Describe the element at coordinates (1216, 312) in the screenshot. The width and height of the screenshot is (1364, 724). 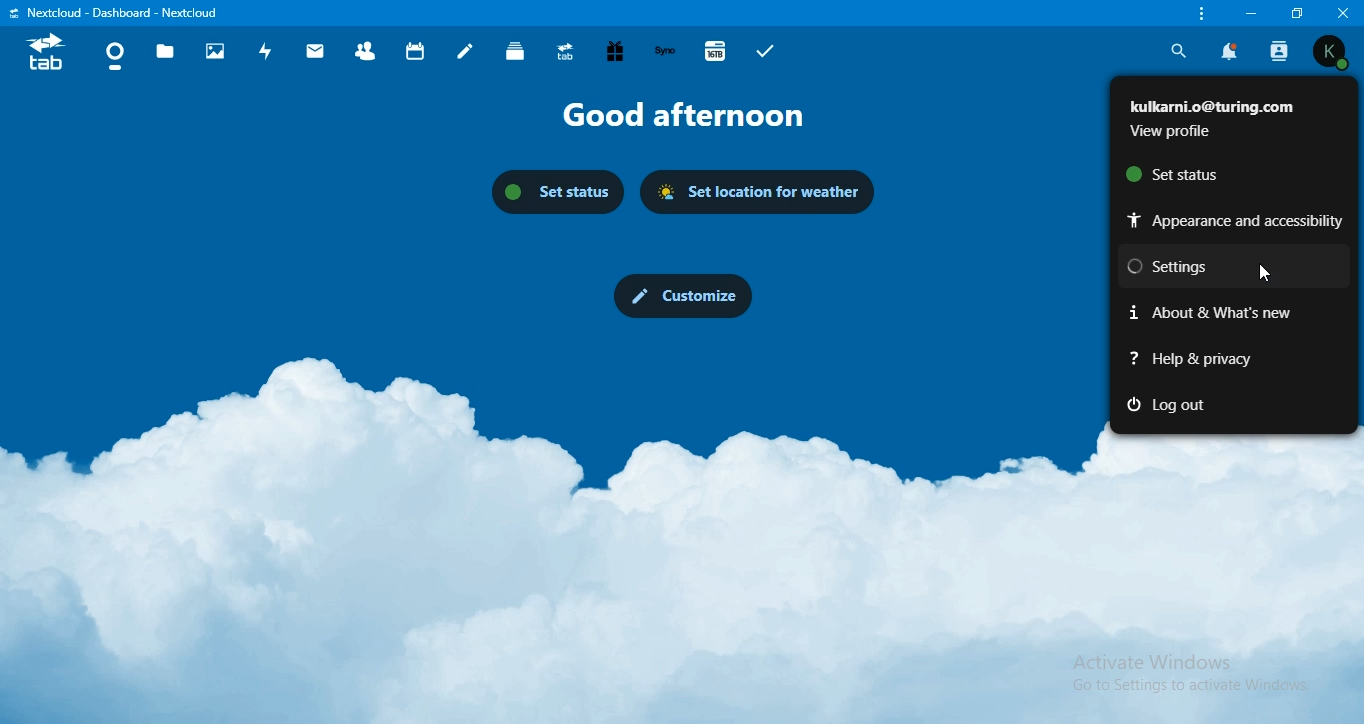
I see `about & whats new` at that location.